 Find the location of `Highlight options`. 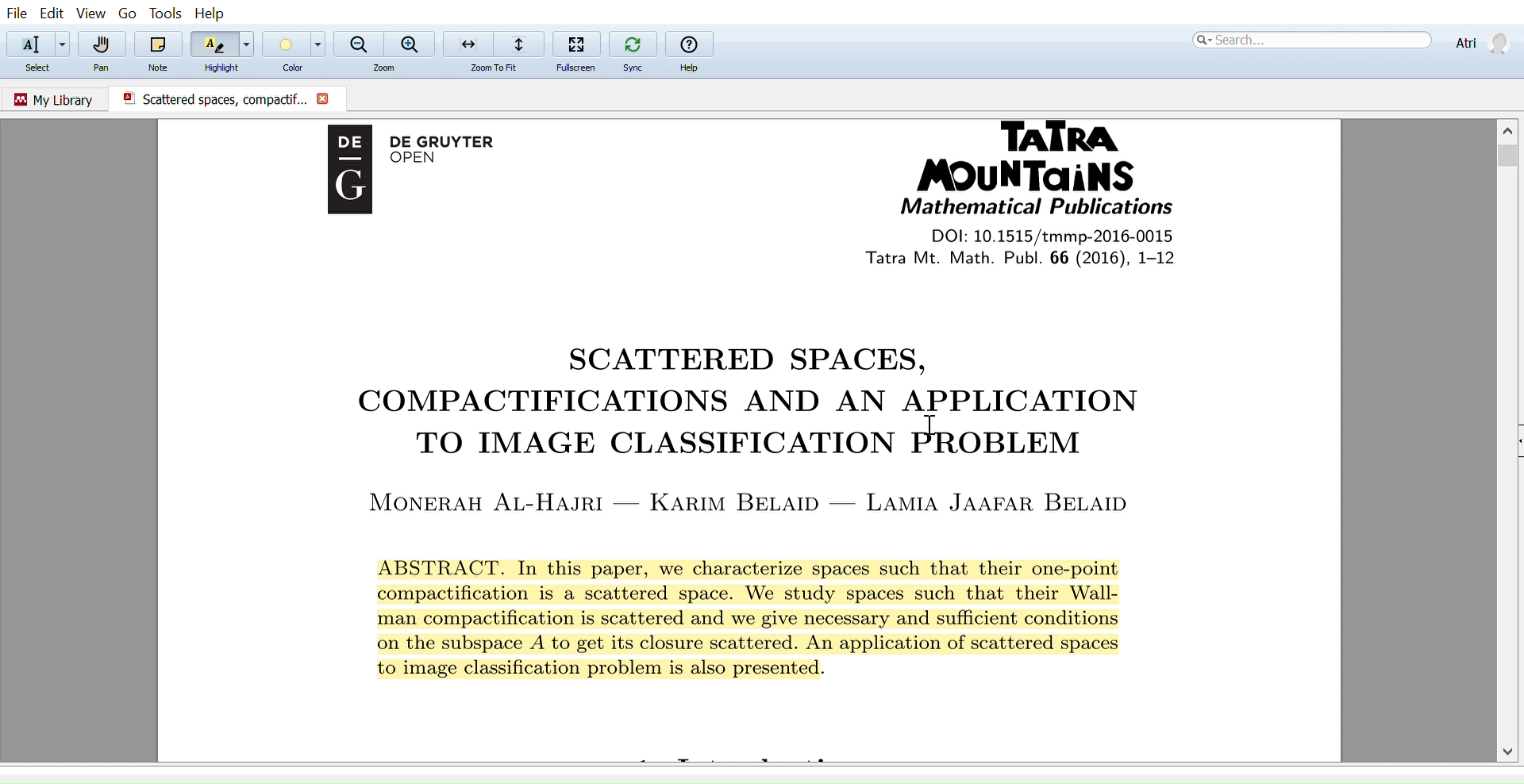

Highlight options is located at coordinates (250, 44).